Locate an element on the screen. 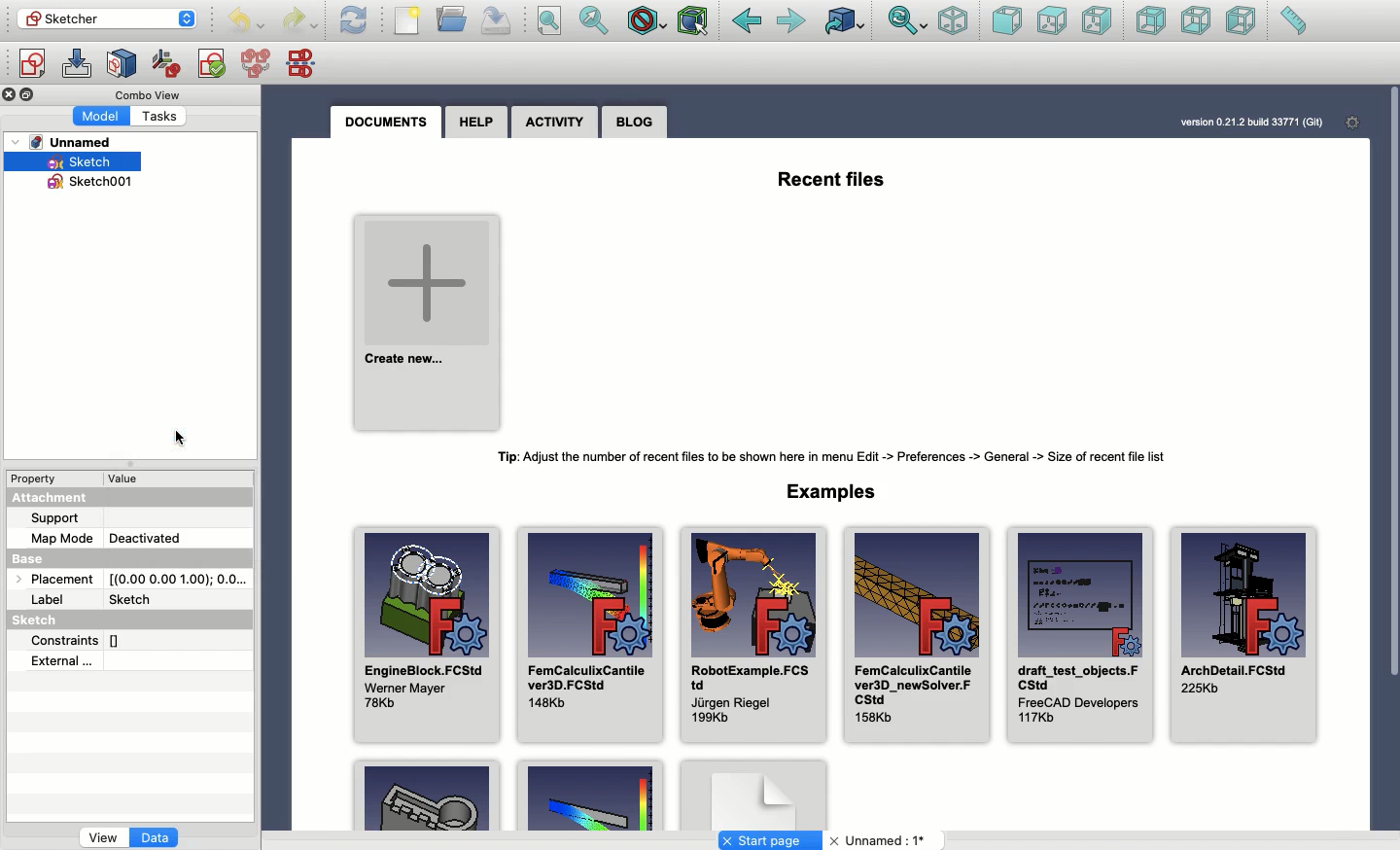 This screenshot has height=850, width=1400. Go to linked object is located at coordinates (846, 20).